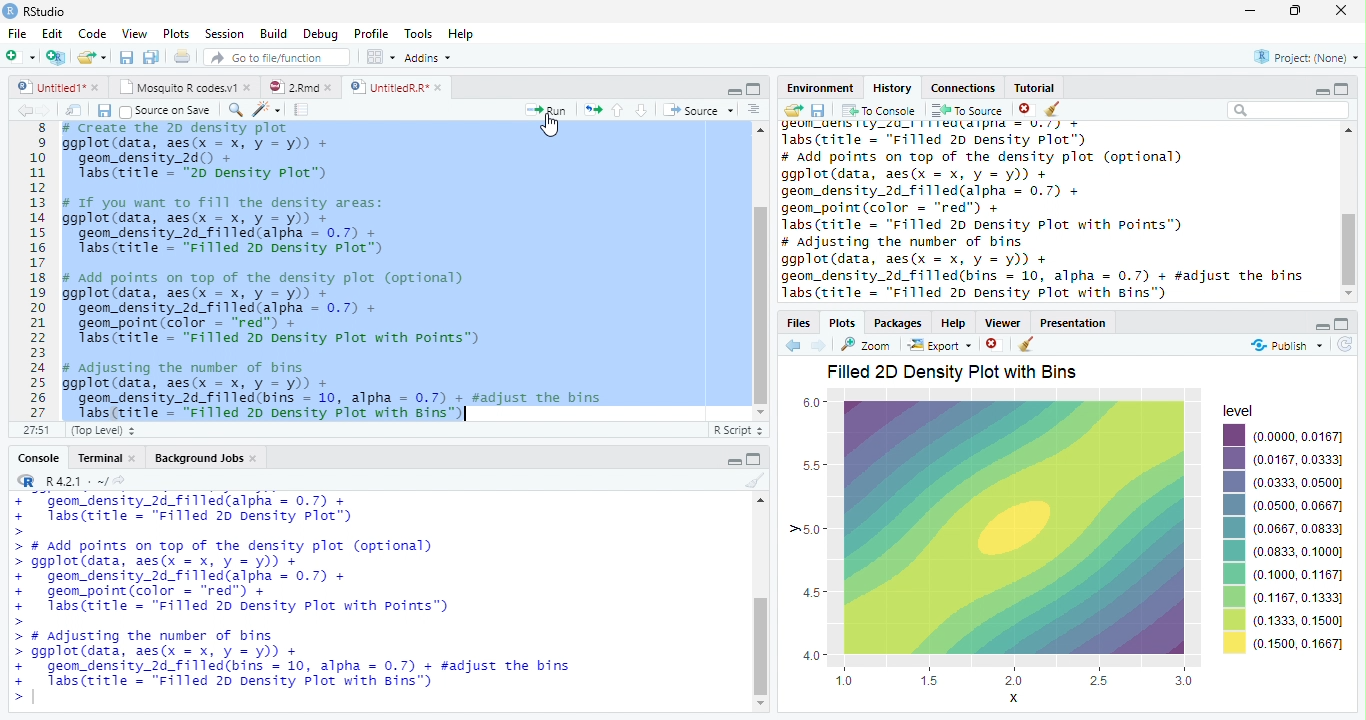  I want to click on next, so click(52, 112).